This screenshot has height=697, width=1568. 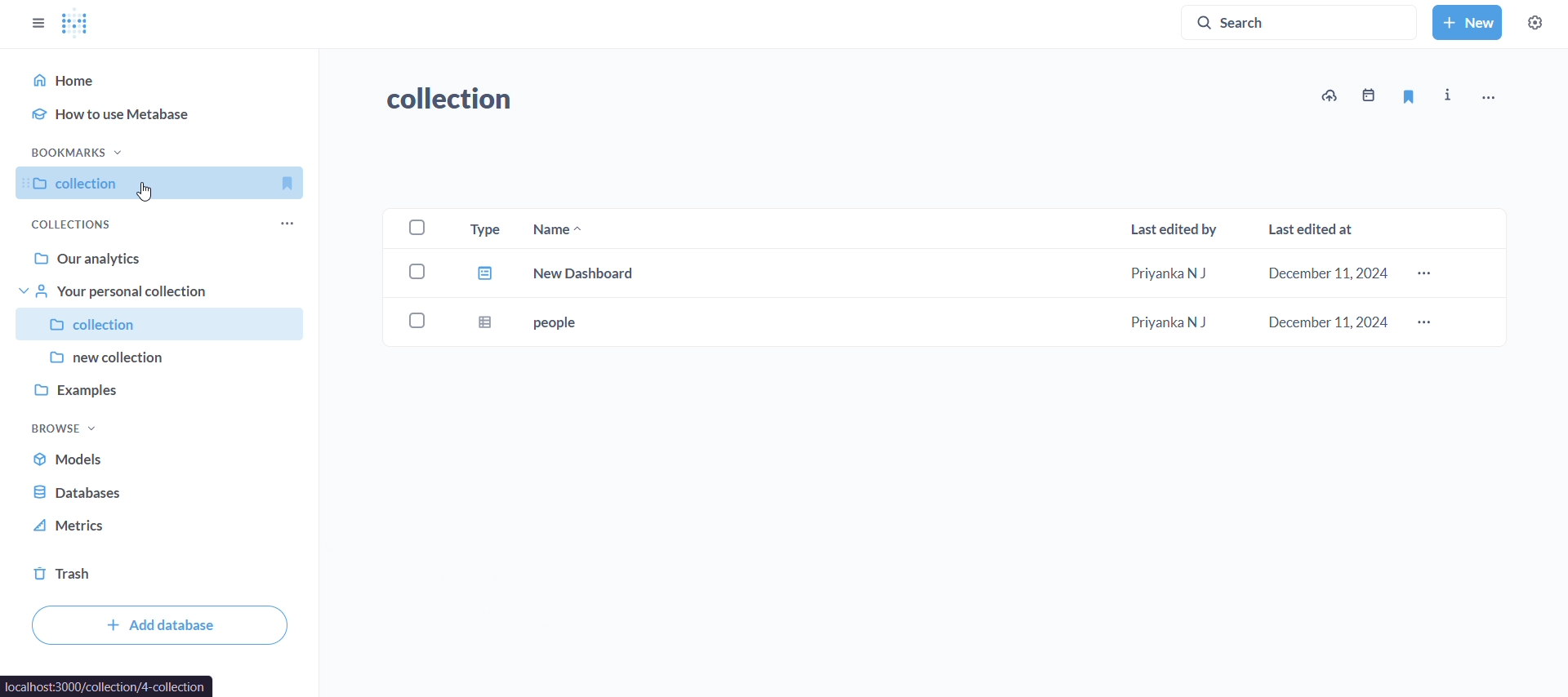 What do you see at coordinates (611, 228) in the screenshot?
I see `name` at bounding box center [611, 228].